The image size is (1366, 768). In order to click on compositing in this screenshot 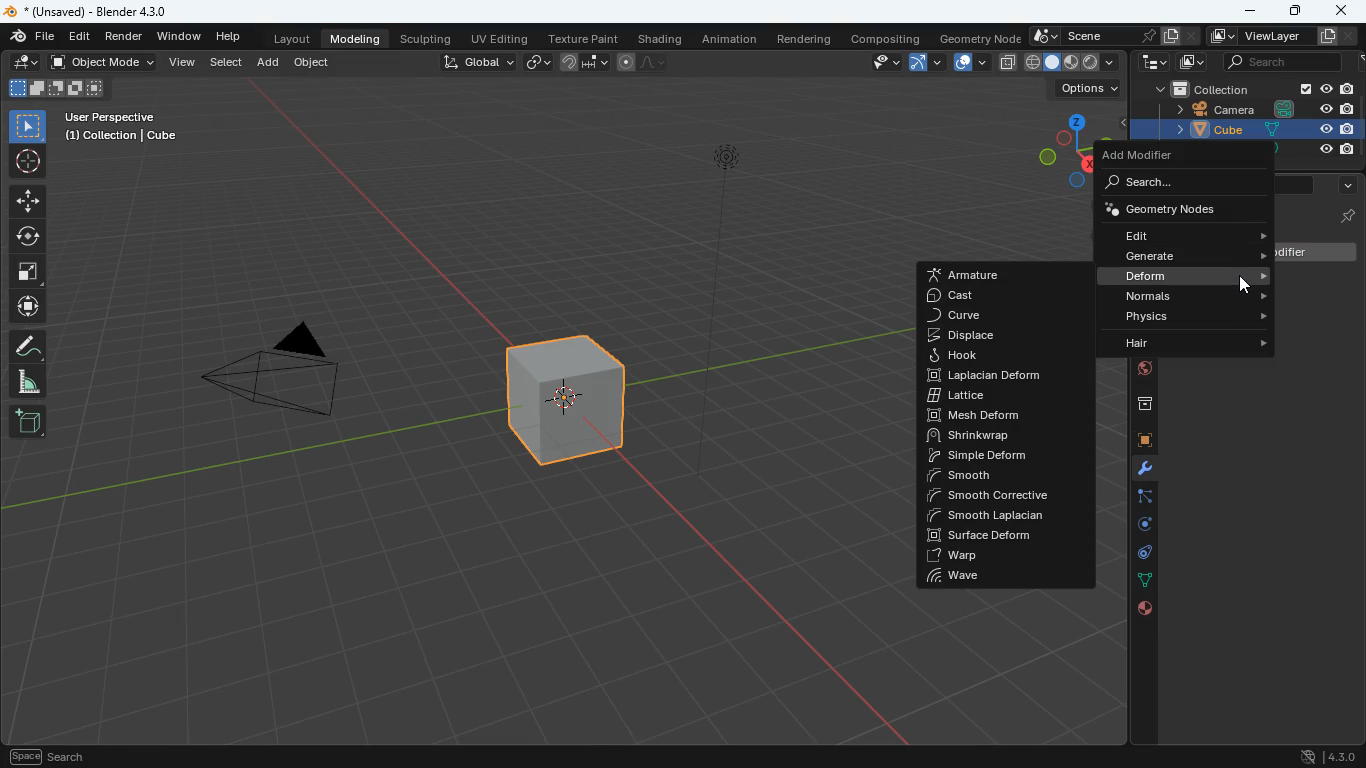, I will do `click(891, 37)`.